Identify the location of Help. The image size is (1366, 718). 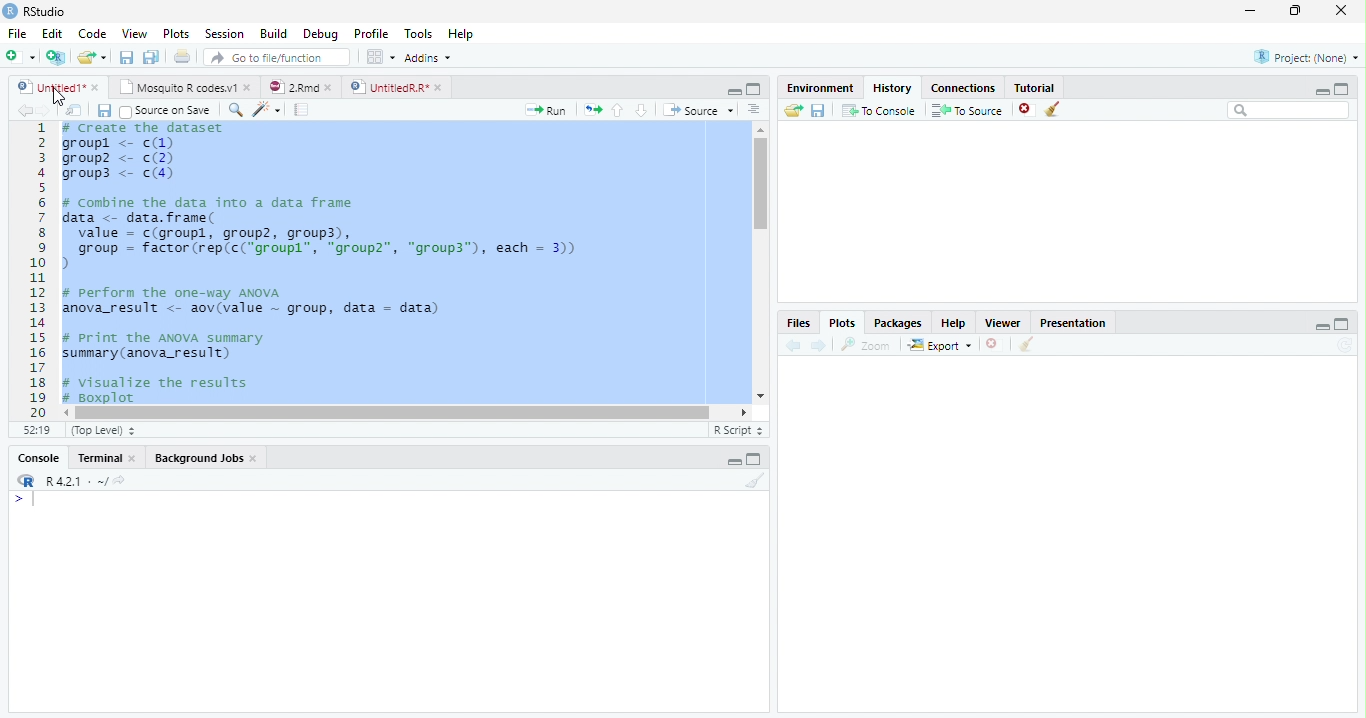
(460, 36).